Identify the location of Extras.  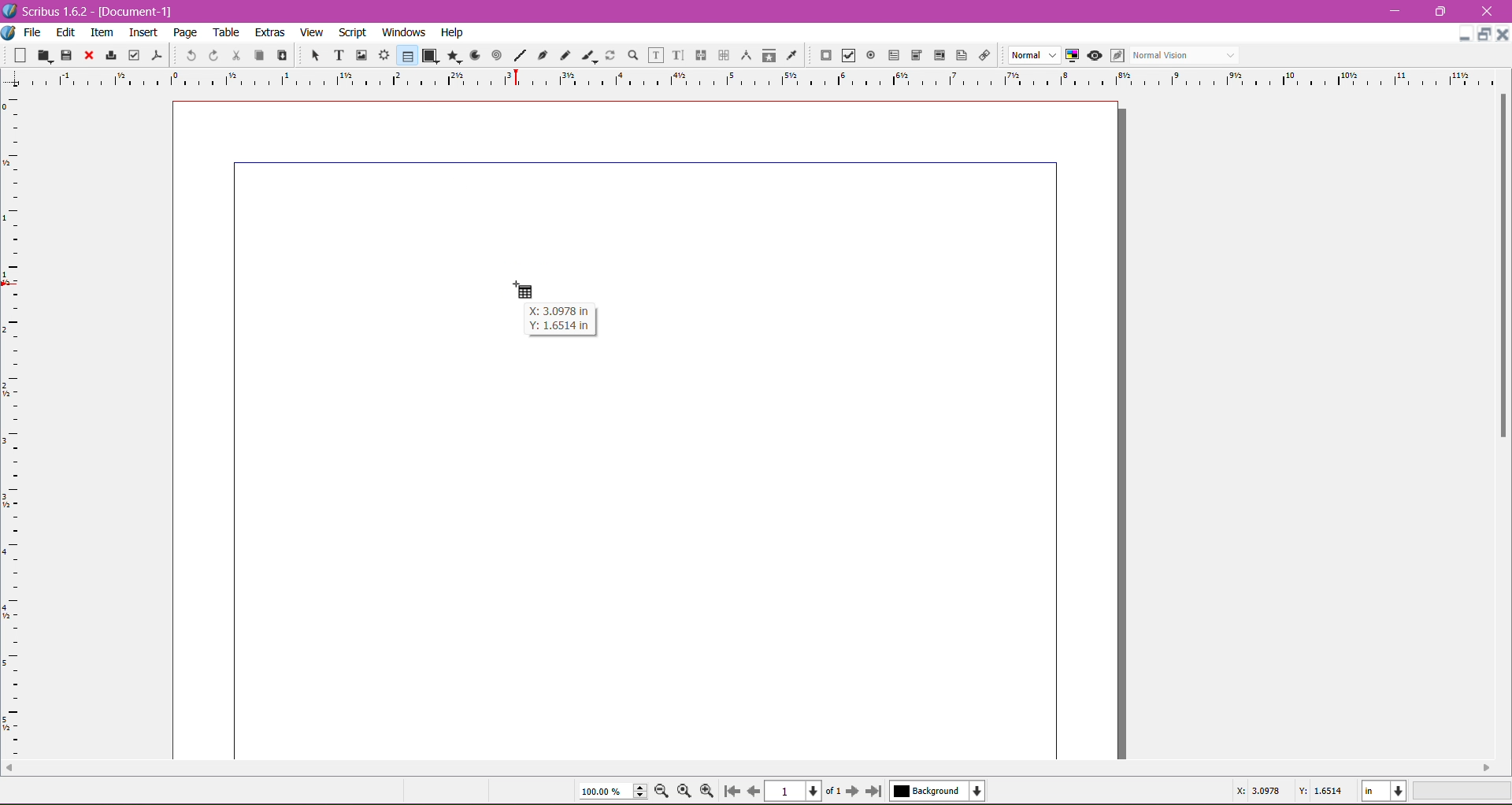
(270, 32).